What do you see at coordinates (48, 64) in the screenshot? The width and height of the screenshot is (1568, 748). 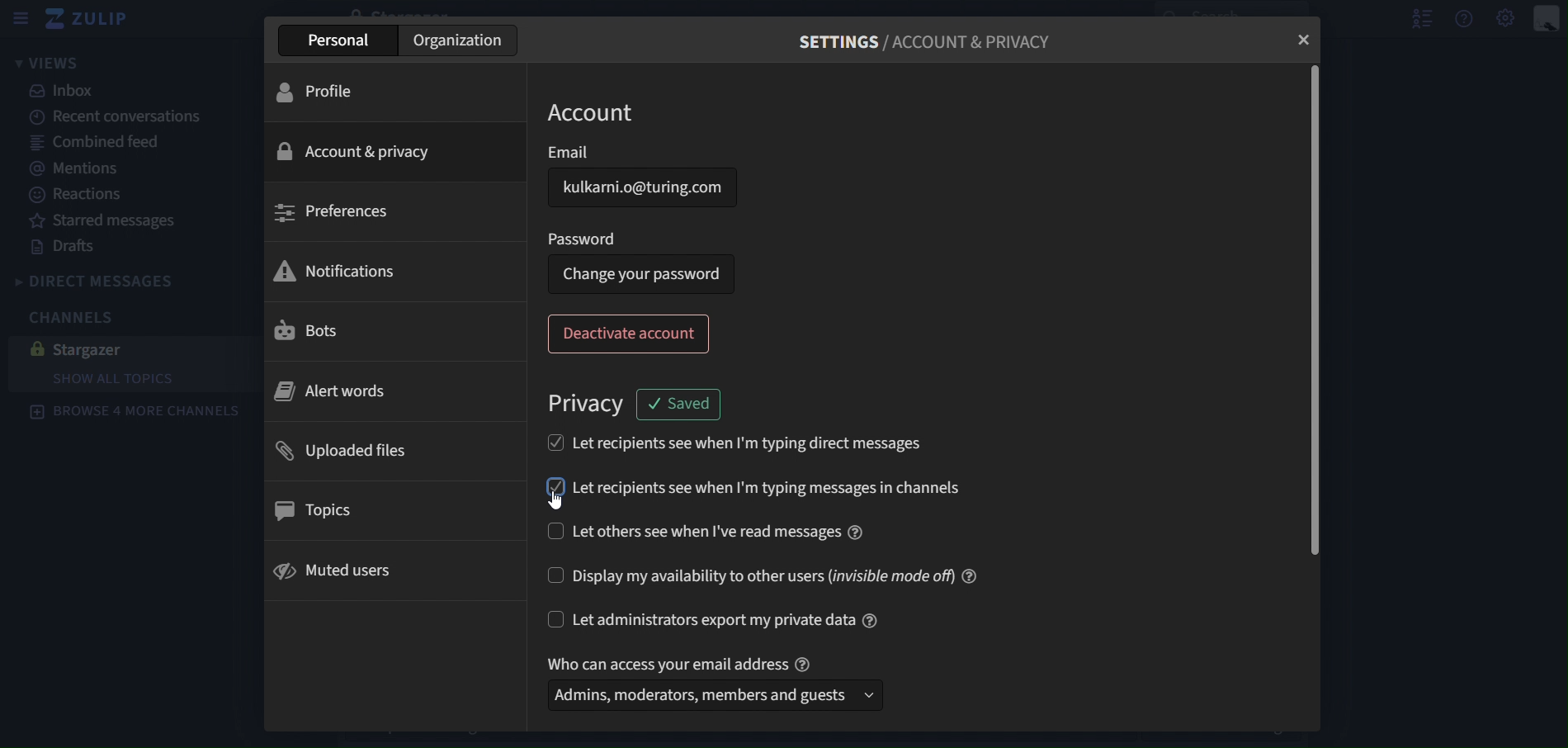 I see `views` at bounding box center [48, 64].